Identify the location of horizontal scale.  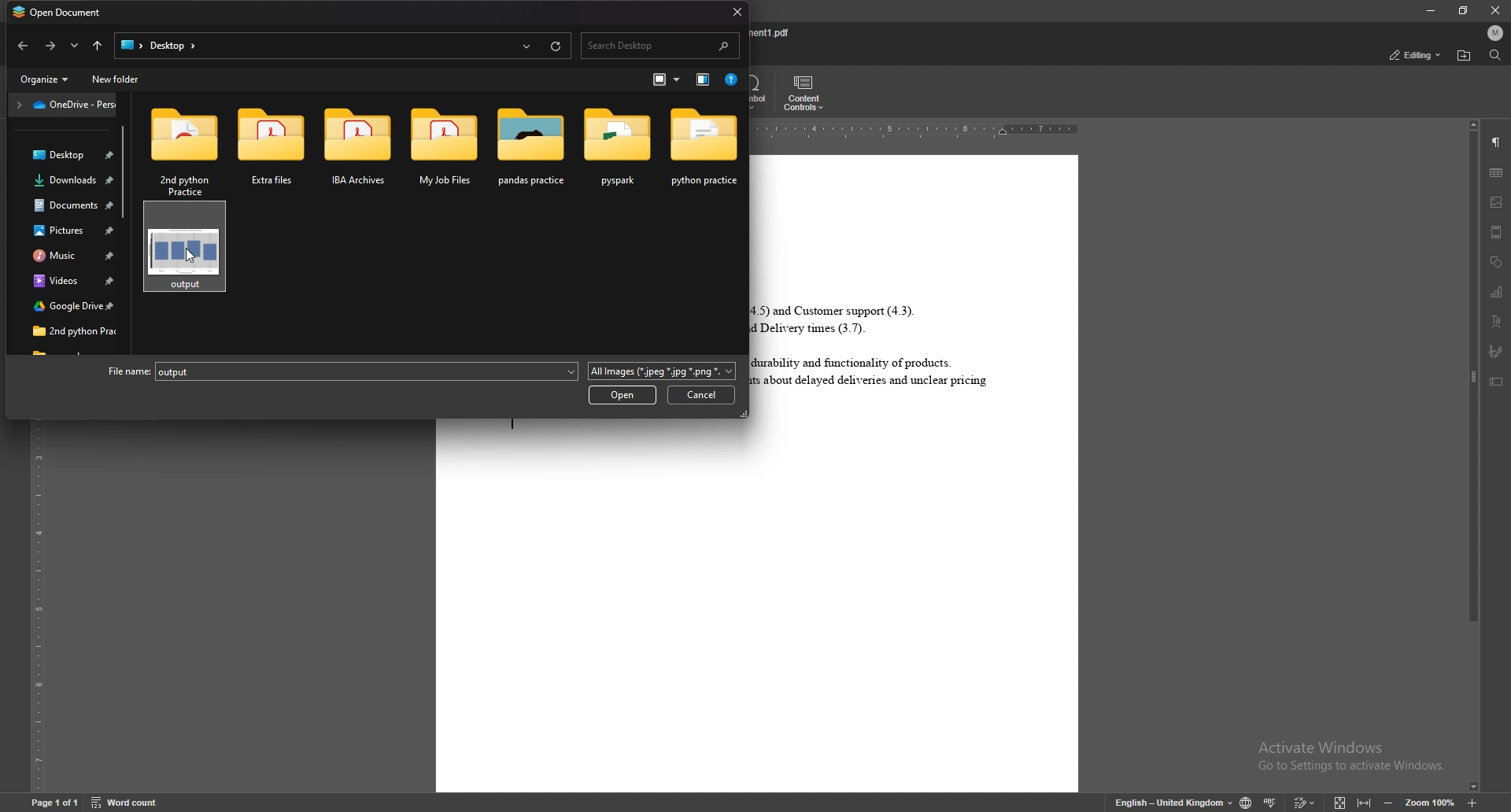
(922, 131).